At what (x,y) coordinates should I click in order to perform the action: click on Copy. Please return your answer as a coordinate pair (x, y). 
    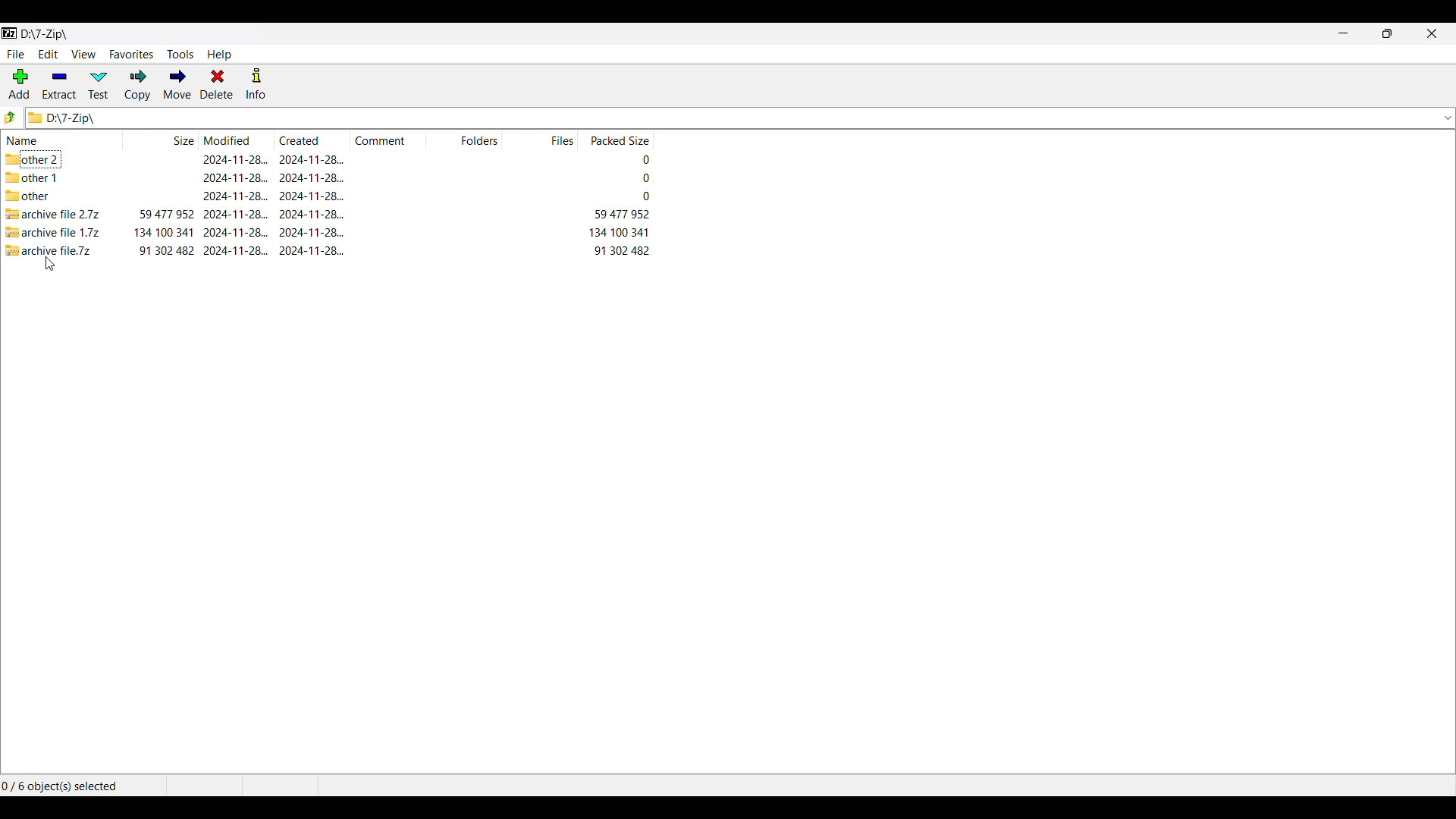
    Looking at the image, I should click on (138, 85).